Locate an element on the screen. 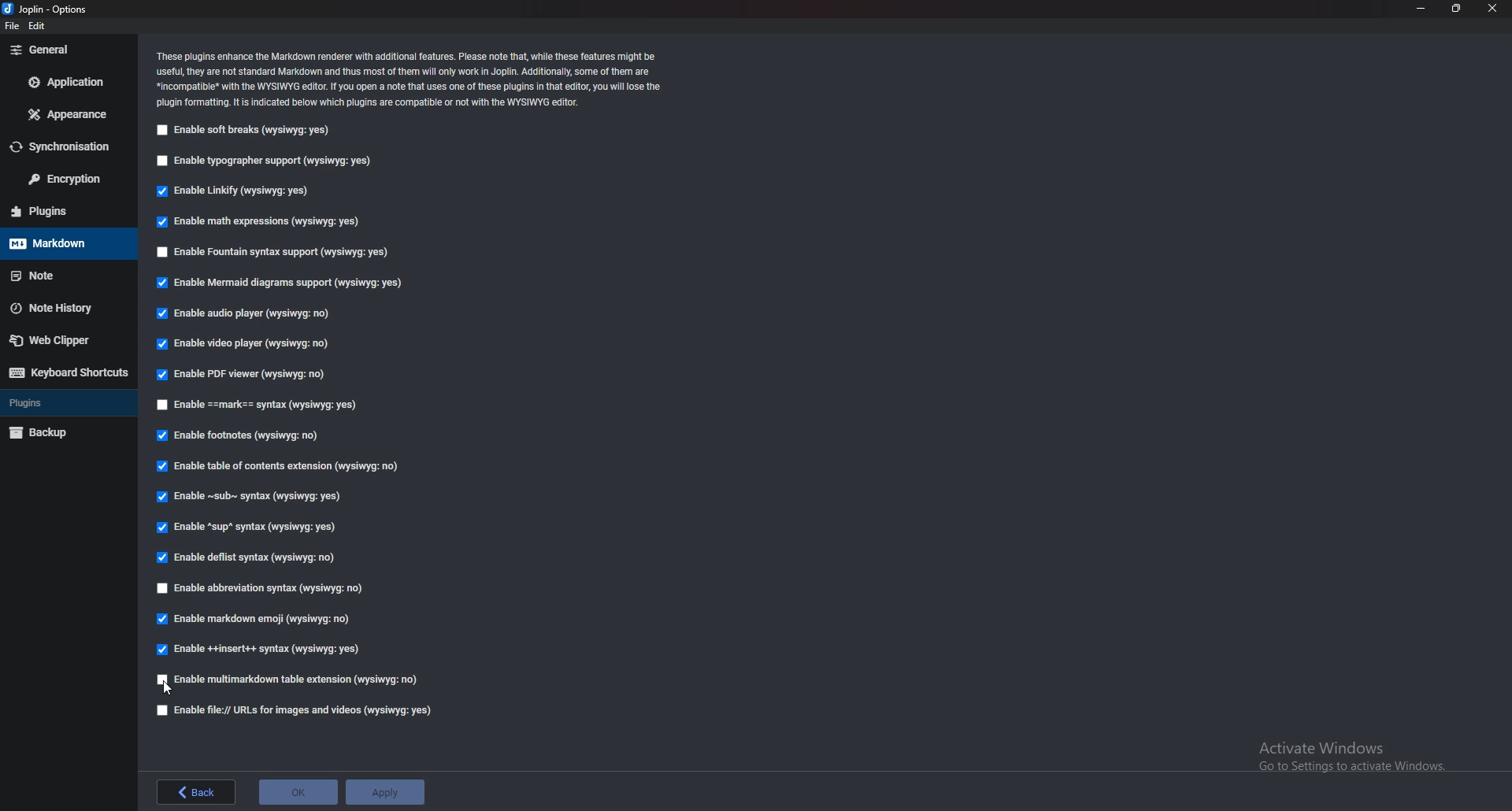 The width and height of the screenshot is (1512, 811). Synchronization is located at coordinates (63, 146).